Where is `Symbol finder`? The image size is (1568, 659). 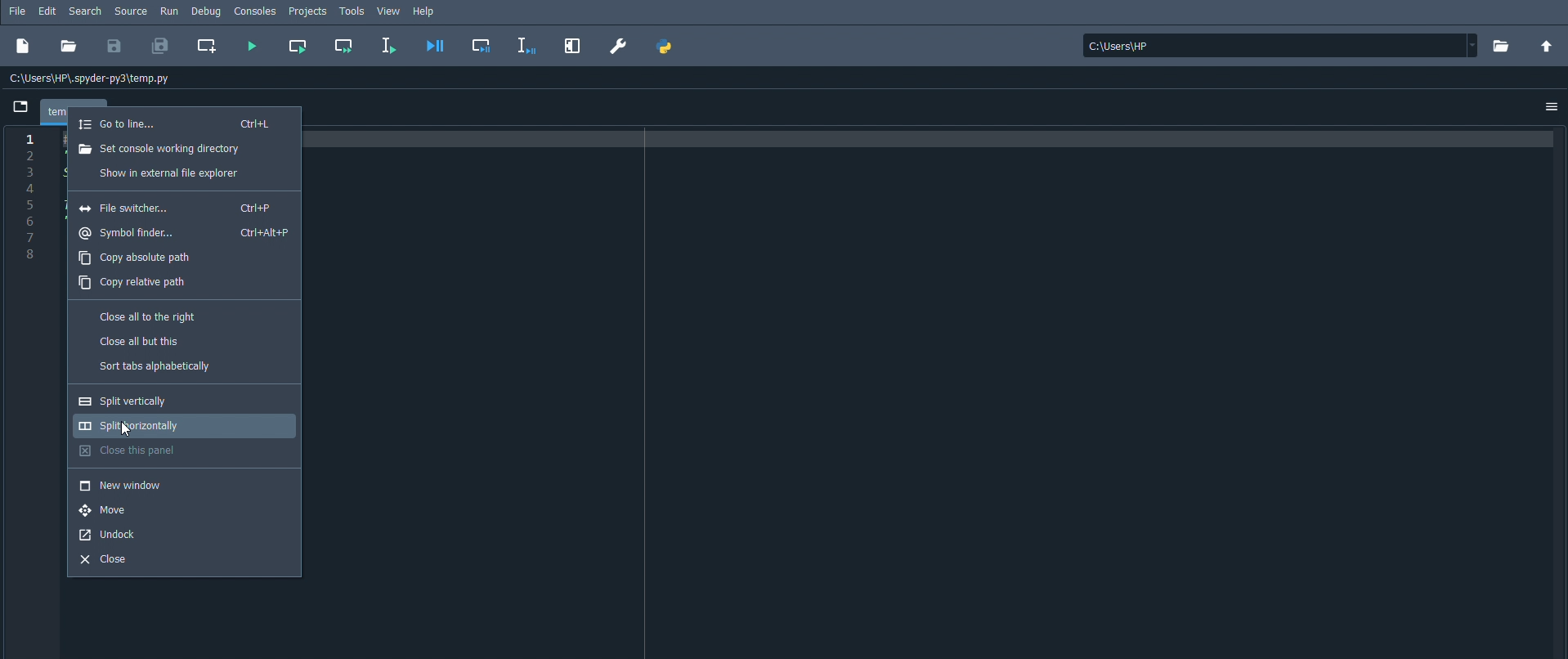 Symbol finder is located at coordinates (185, 234).